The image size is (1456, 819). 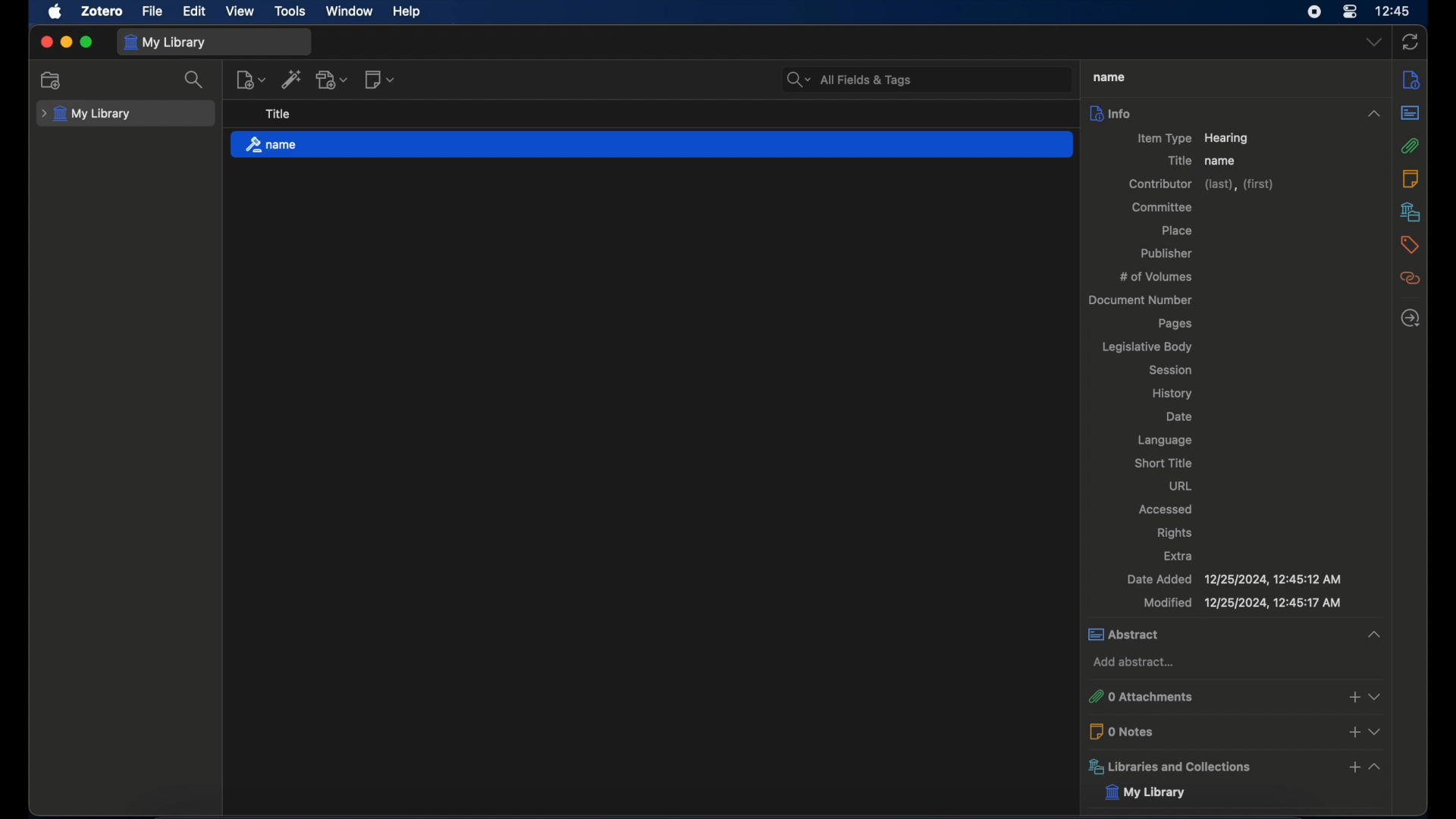 What do you see at coordinates (1177, 324) in the screenshot?
I see `pages` at bounding box center [1177, 324].